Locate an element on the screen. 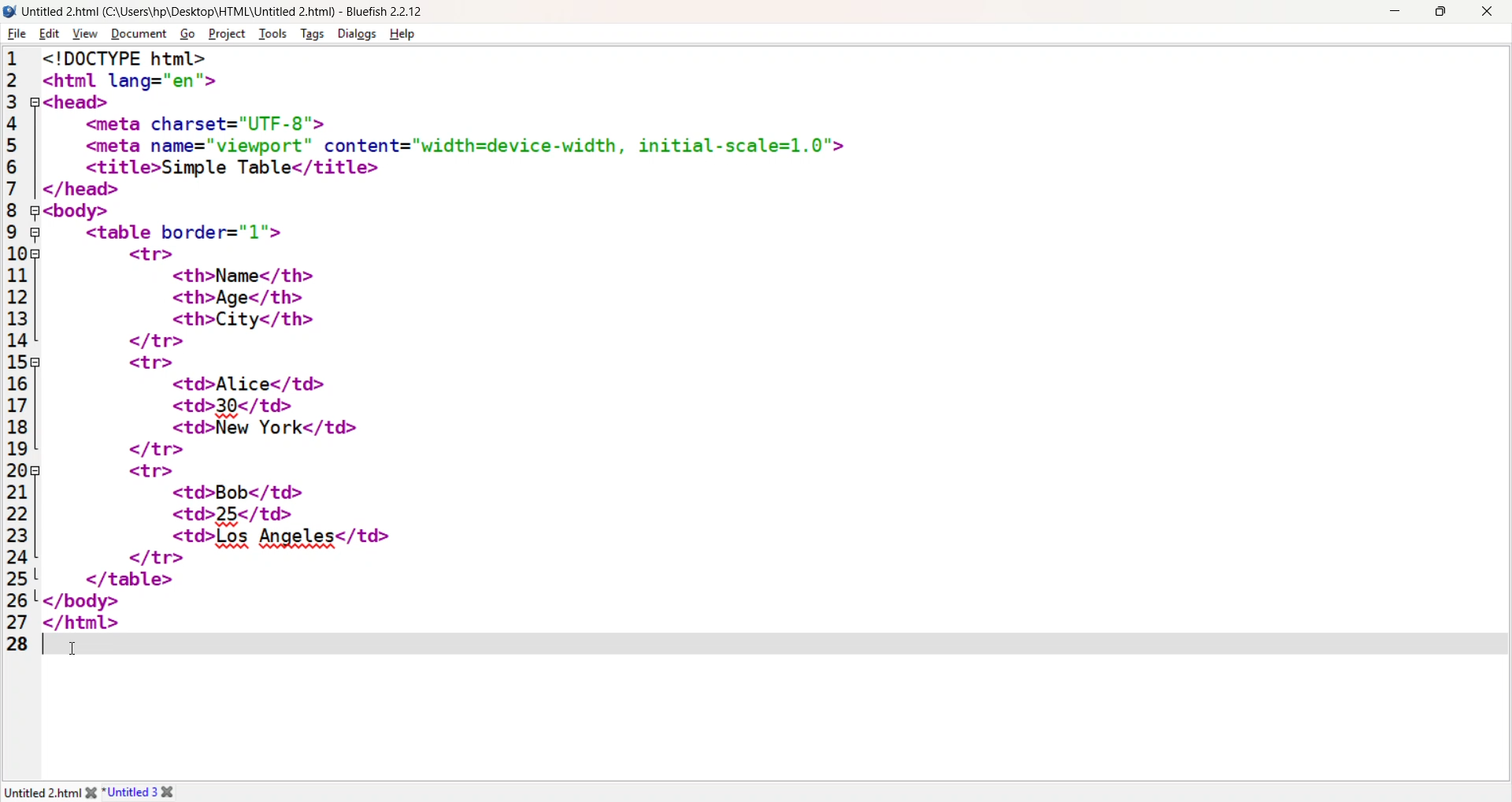 The image size is (1512, 802). Project is located at coordinates (225, 33).